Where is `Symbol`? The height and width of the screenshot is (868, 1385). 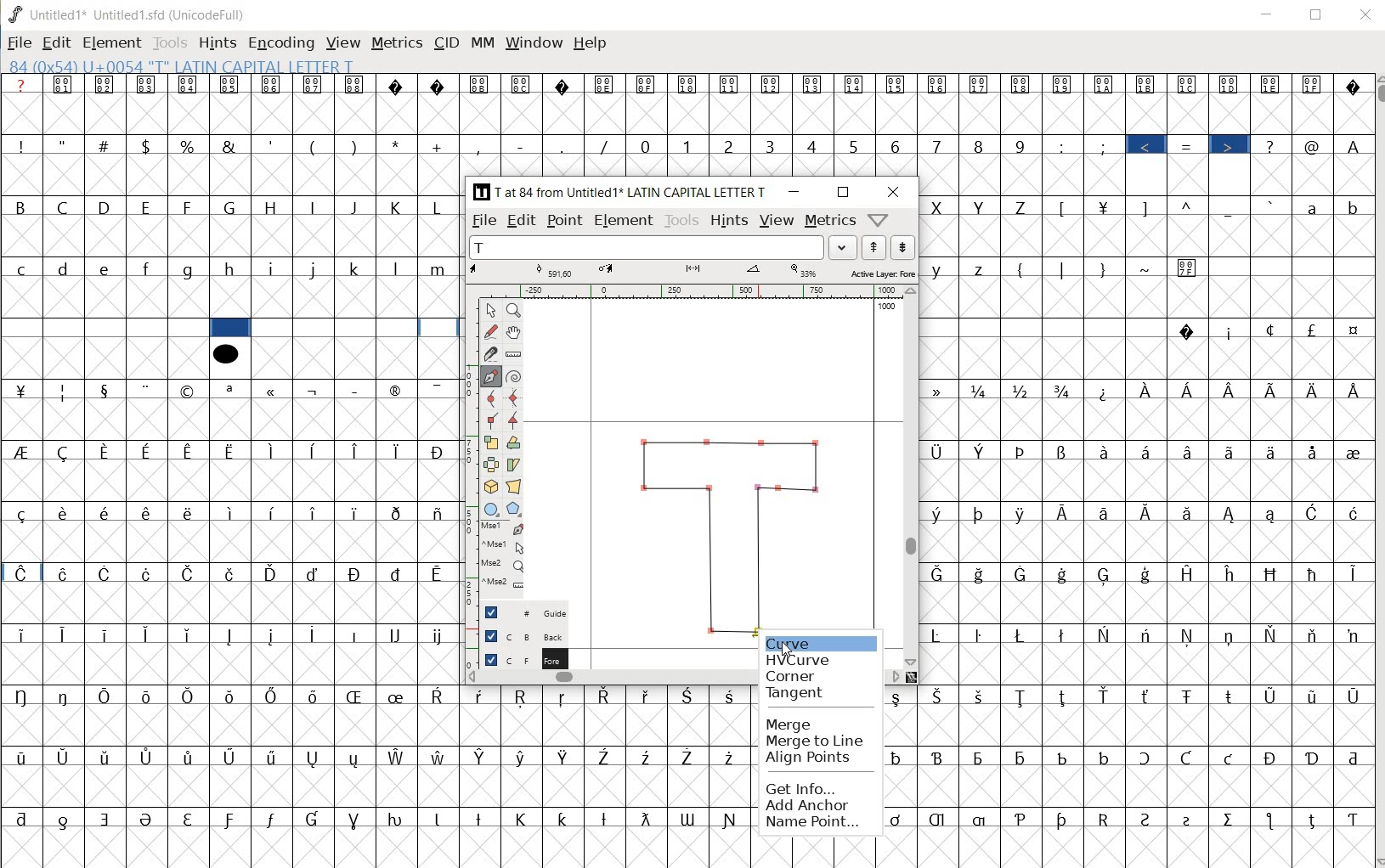 Symbol is located at coordinates (1273, 451).